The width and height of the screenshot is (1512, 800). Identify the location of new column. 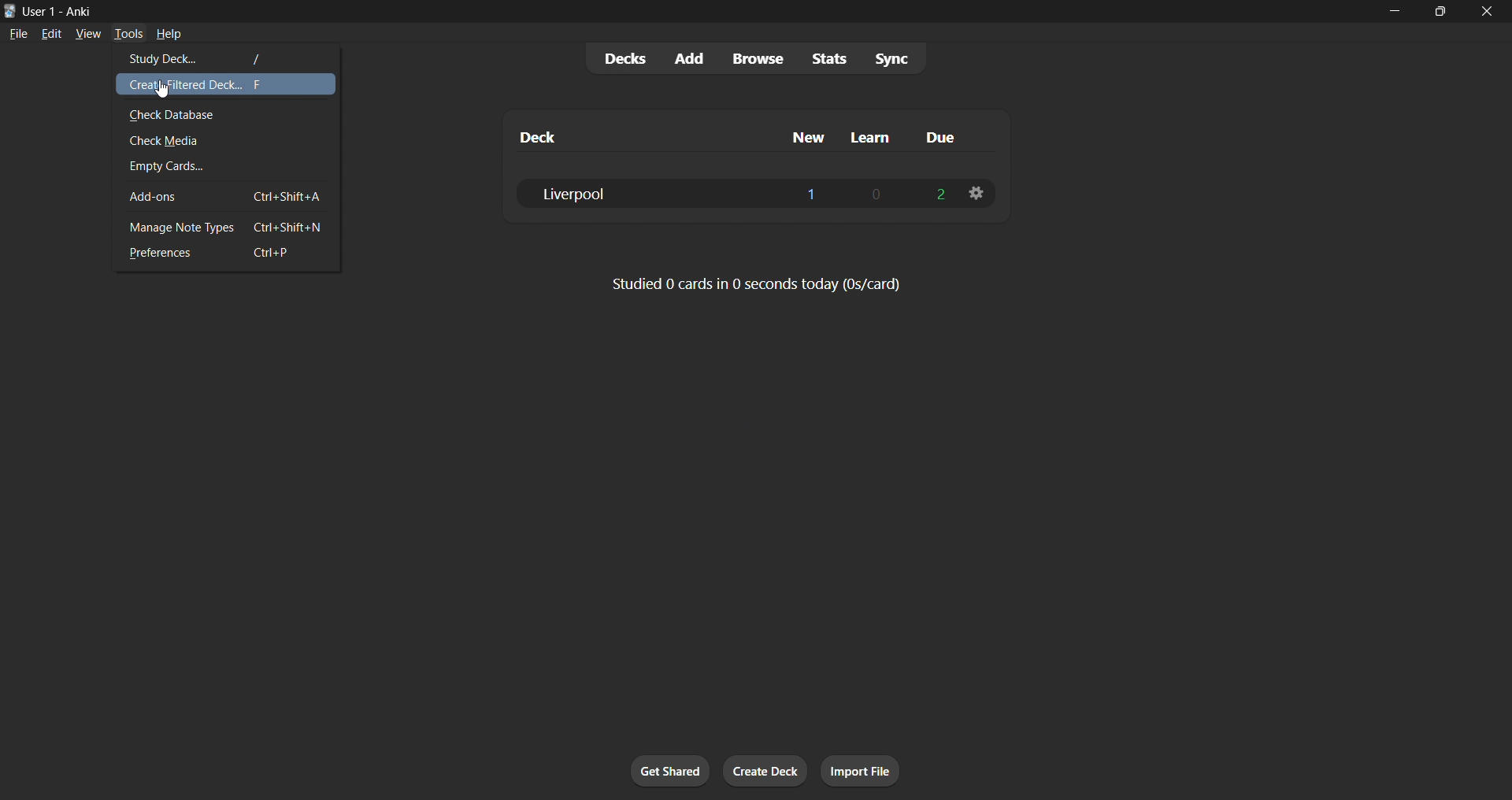
(809, 139).